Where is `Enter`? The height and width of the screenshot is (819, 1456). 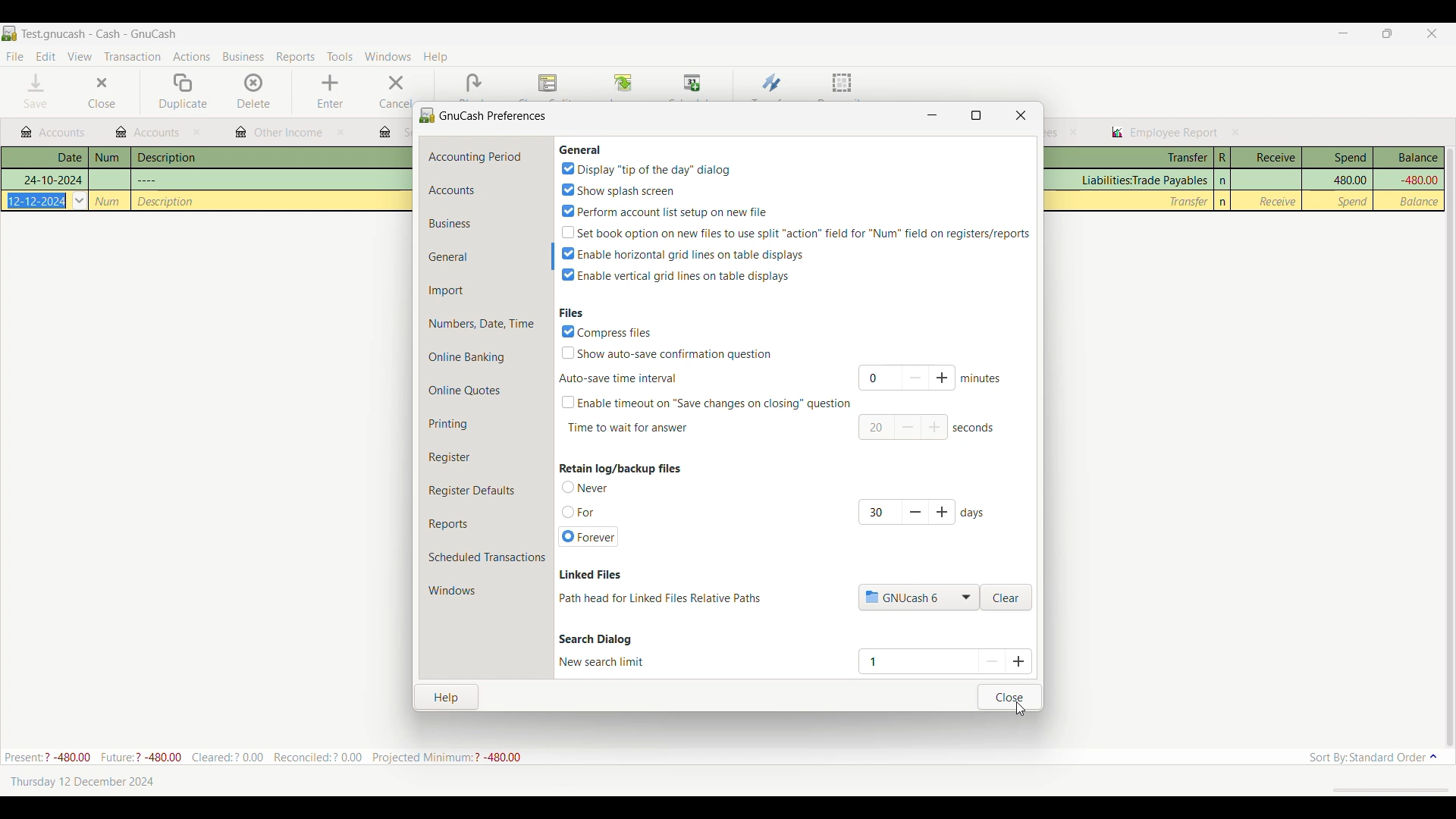 Enter is located at coordinates (329, 92).